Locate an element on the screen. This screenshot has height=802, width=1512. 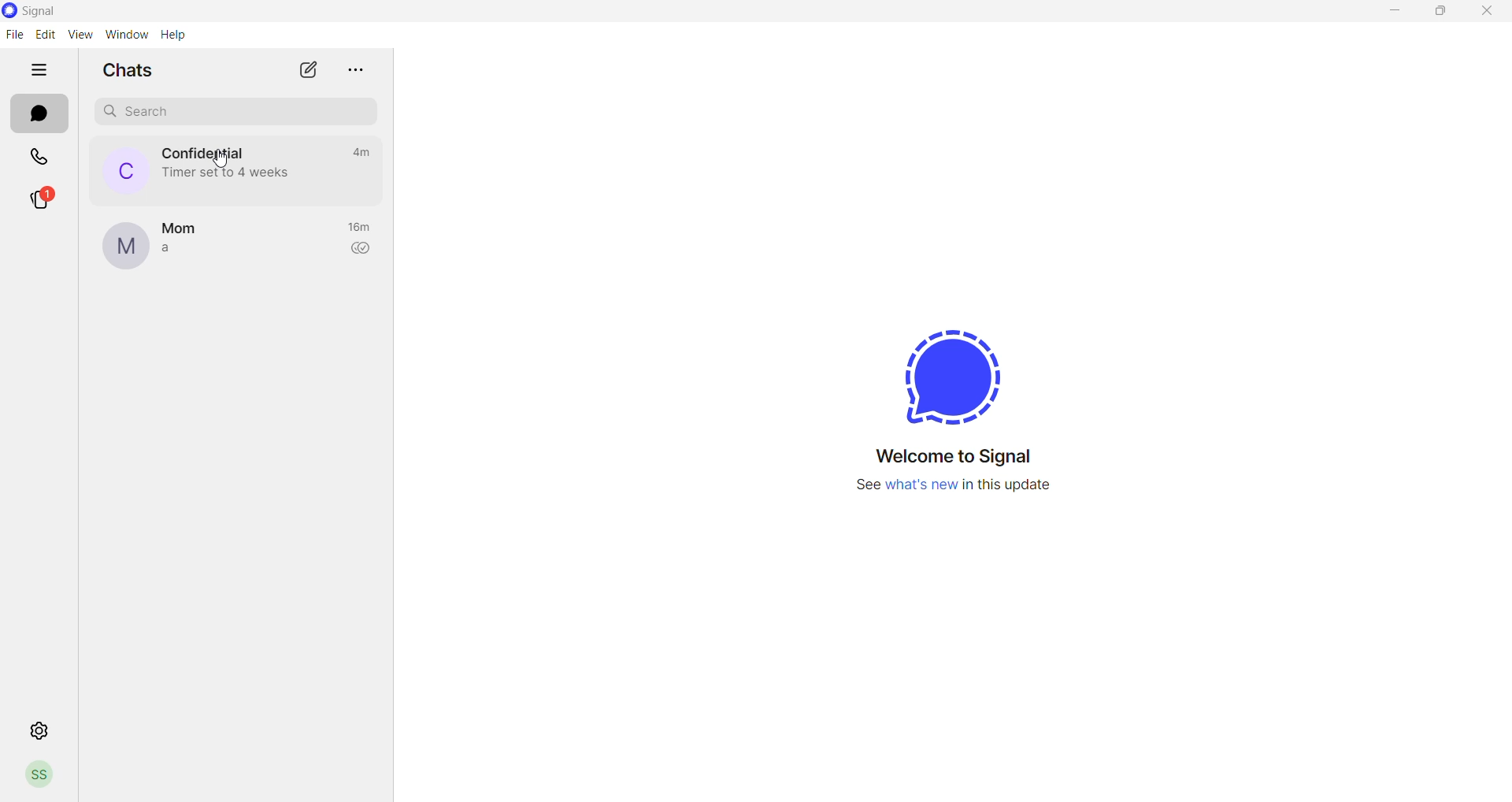
maximize is located at coordinates (1442, 12).